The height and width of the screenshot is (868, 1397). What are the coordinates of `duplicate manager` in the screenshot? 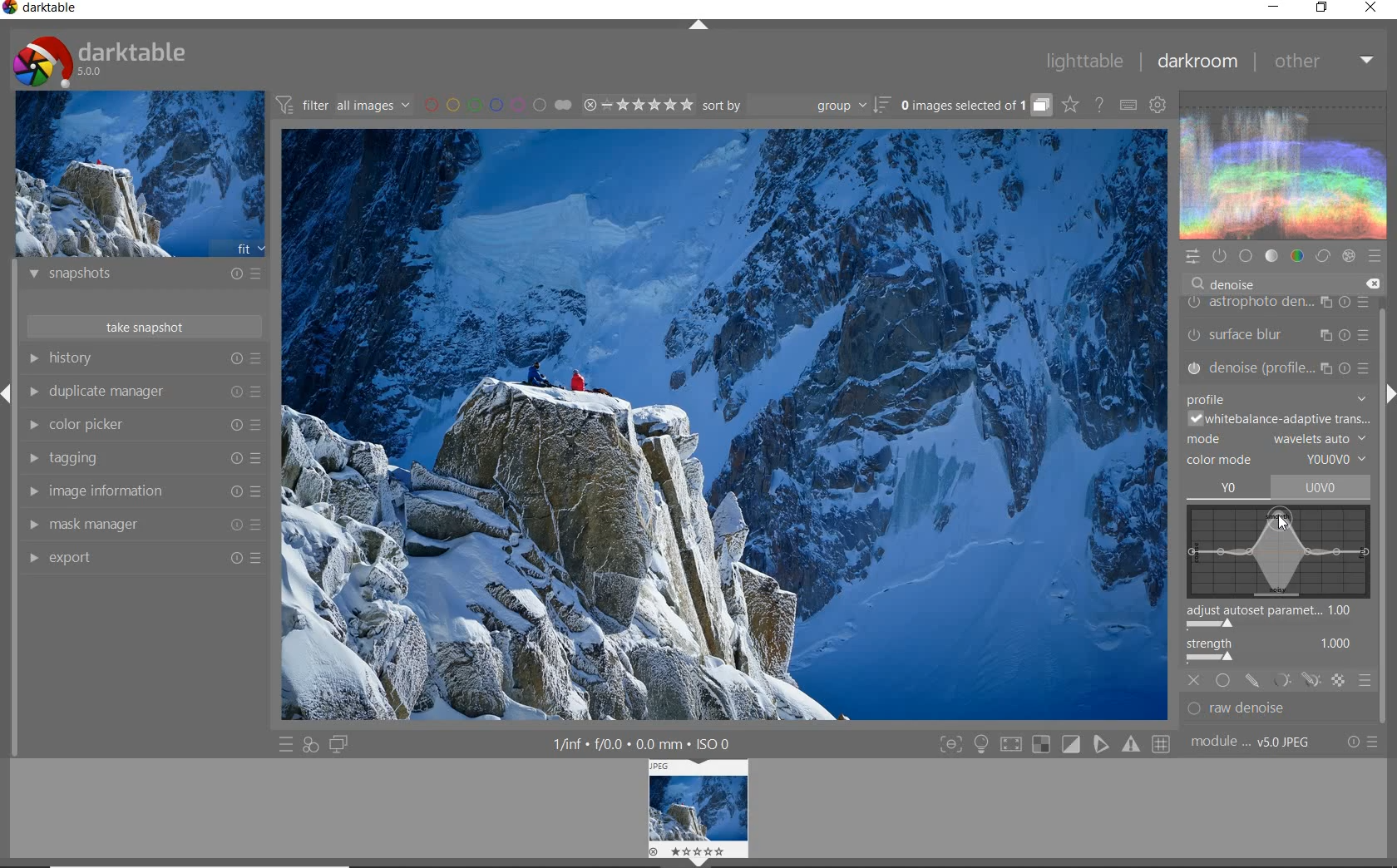 It's located at (143, 392).